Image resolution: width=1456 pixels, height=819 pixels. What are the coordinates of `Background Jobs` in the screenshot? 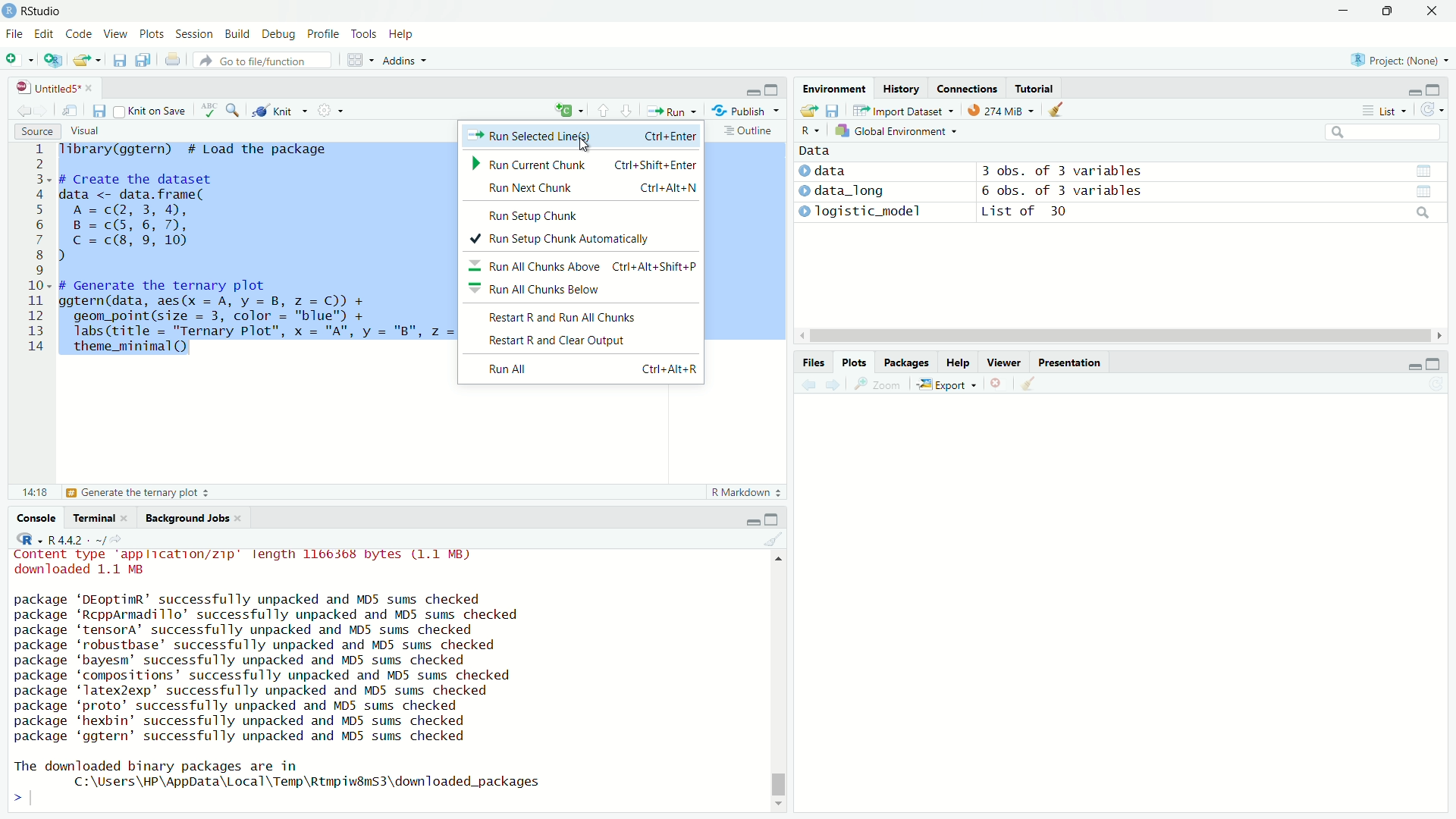 It's located at (188, 519).